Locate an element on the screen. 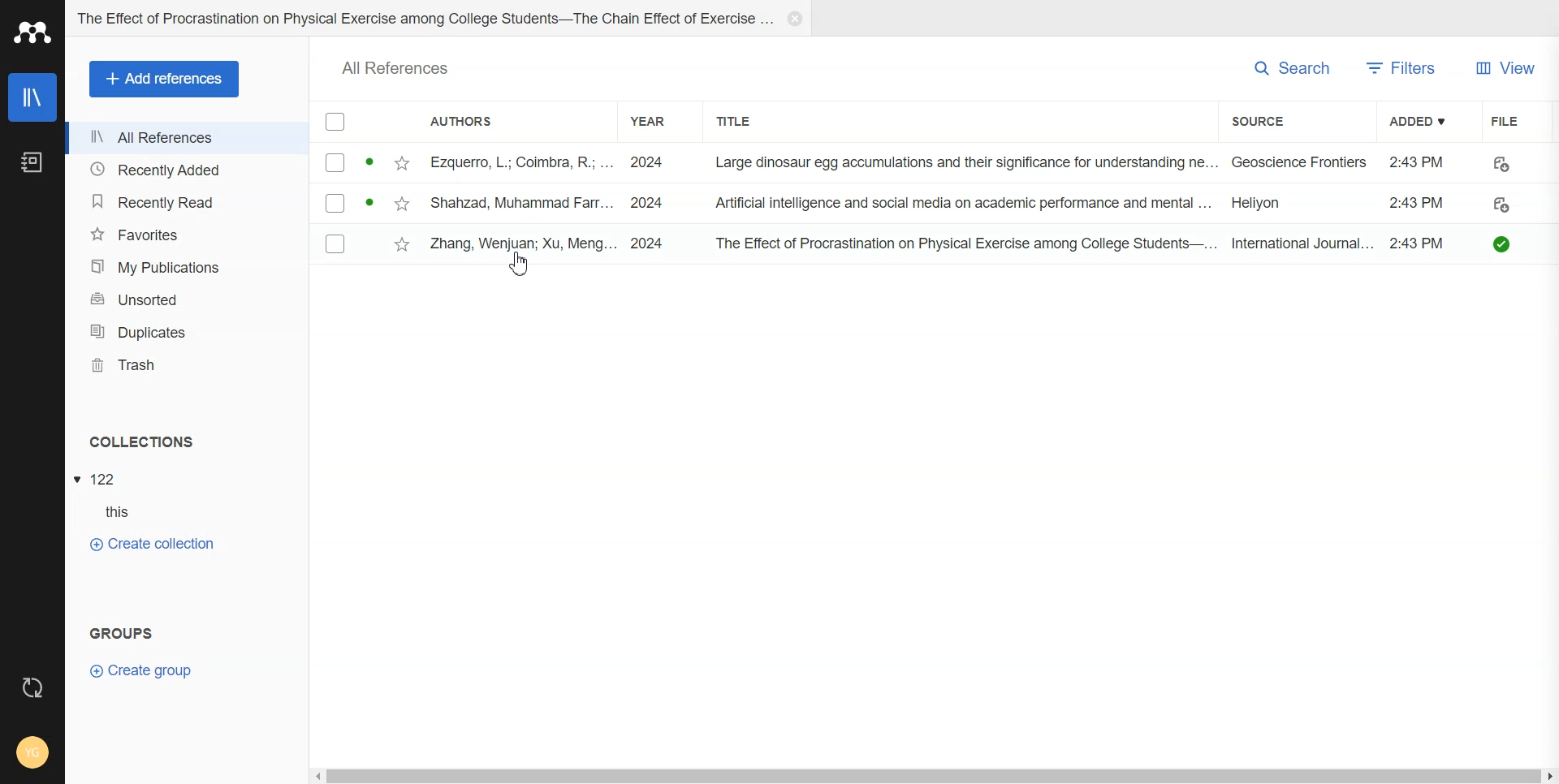 This screenshot has height=784, width=1559. Text 1 is located at coordinates (140, 440).